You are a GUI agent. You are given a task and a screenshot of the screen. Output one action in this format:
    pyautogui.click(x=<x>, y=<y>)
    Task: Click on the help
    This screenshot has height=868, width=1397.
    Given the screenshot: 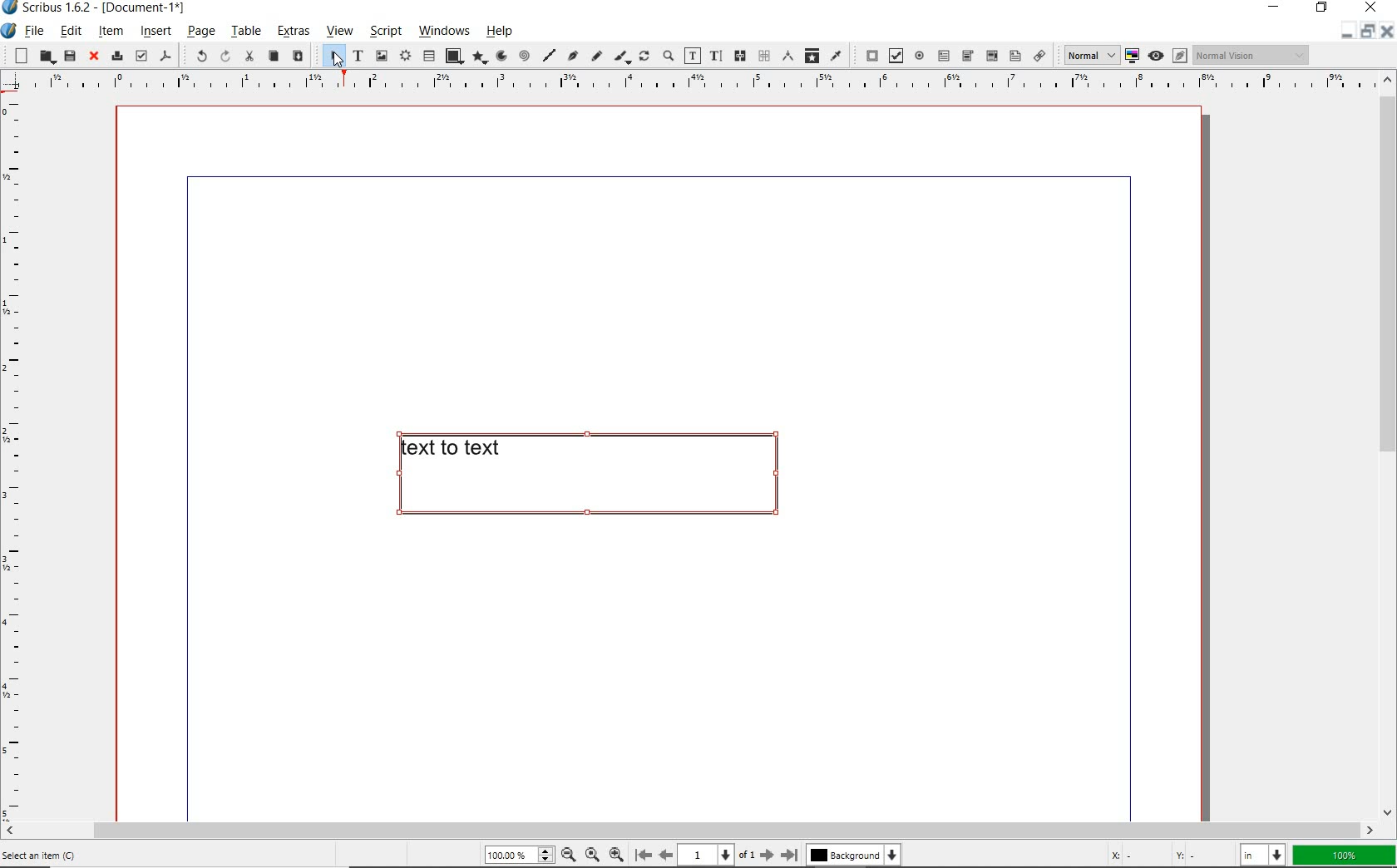 What is the action you would take?
    pyautogui.click(x=503, y=31)
    